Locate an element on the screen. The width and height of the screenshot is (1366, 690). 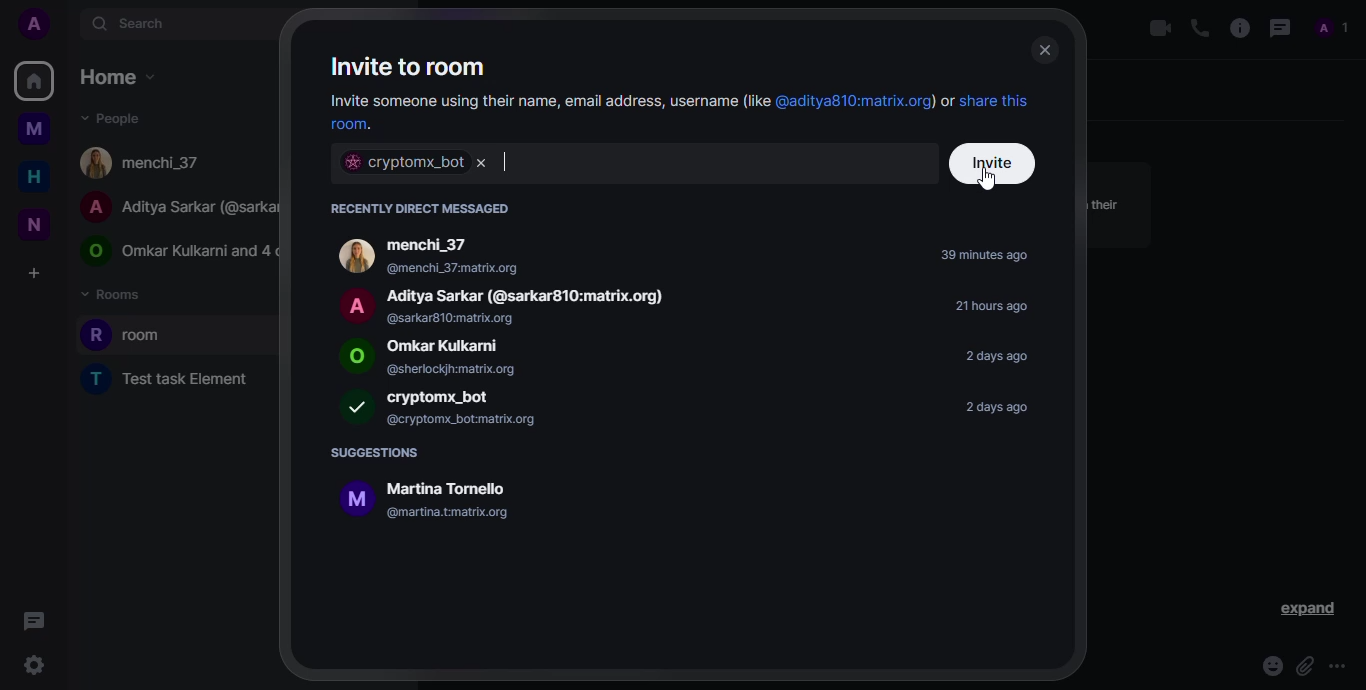
suggestions is located at coordinates (377, 453).